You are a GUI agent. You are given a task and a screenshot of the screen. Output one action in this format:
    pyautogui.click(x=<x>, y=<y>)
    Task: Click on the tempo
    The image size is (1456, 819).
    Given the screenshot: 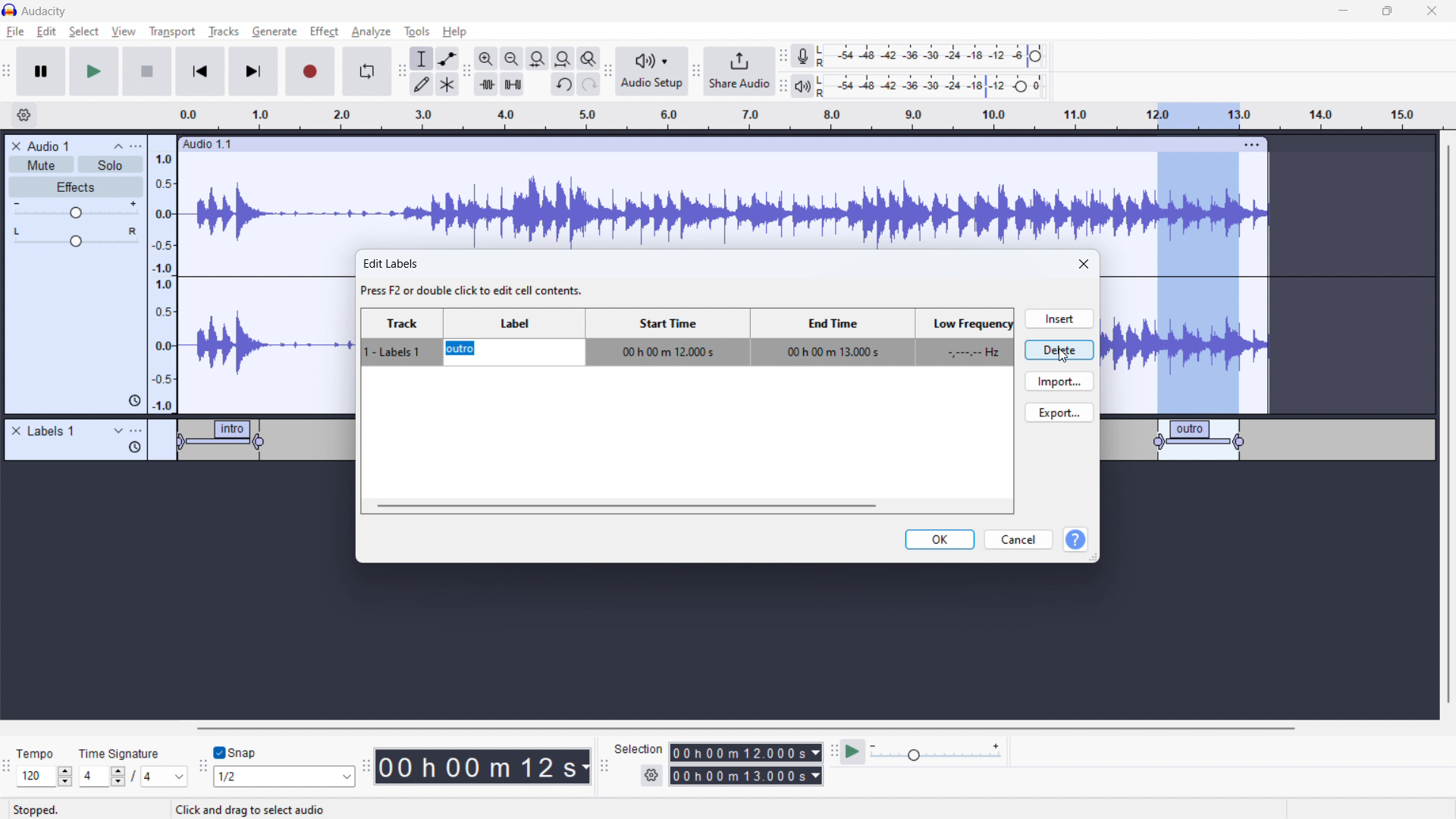 What is the action you would take?
    pyautogui.click(x=45, y=753)
    